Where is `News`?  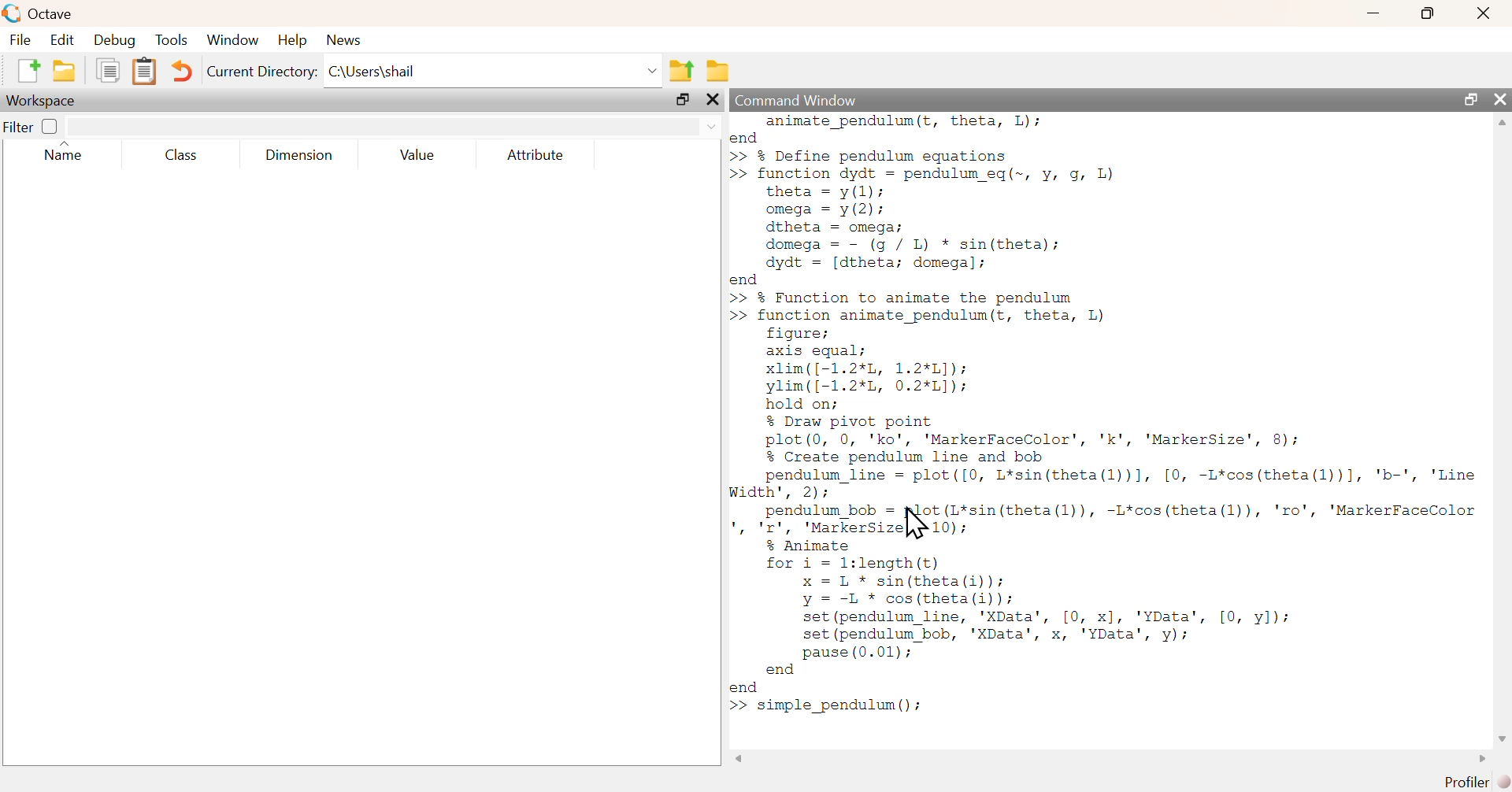
News is located at coordinates (346, 39).